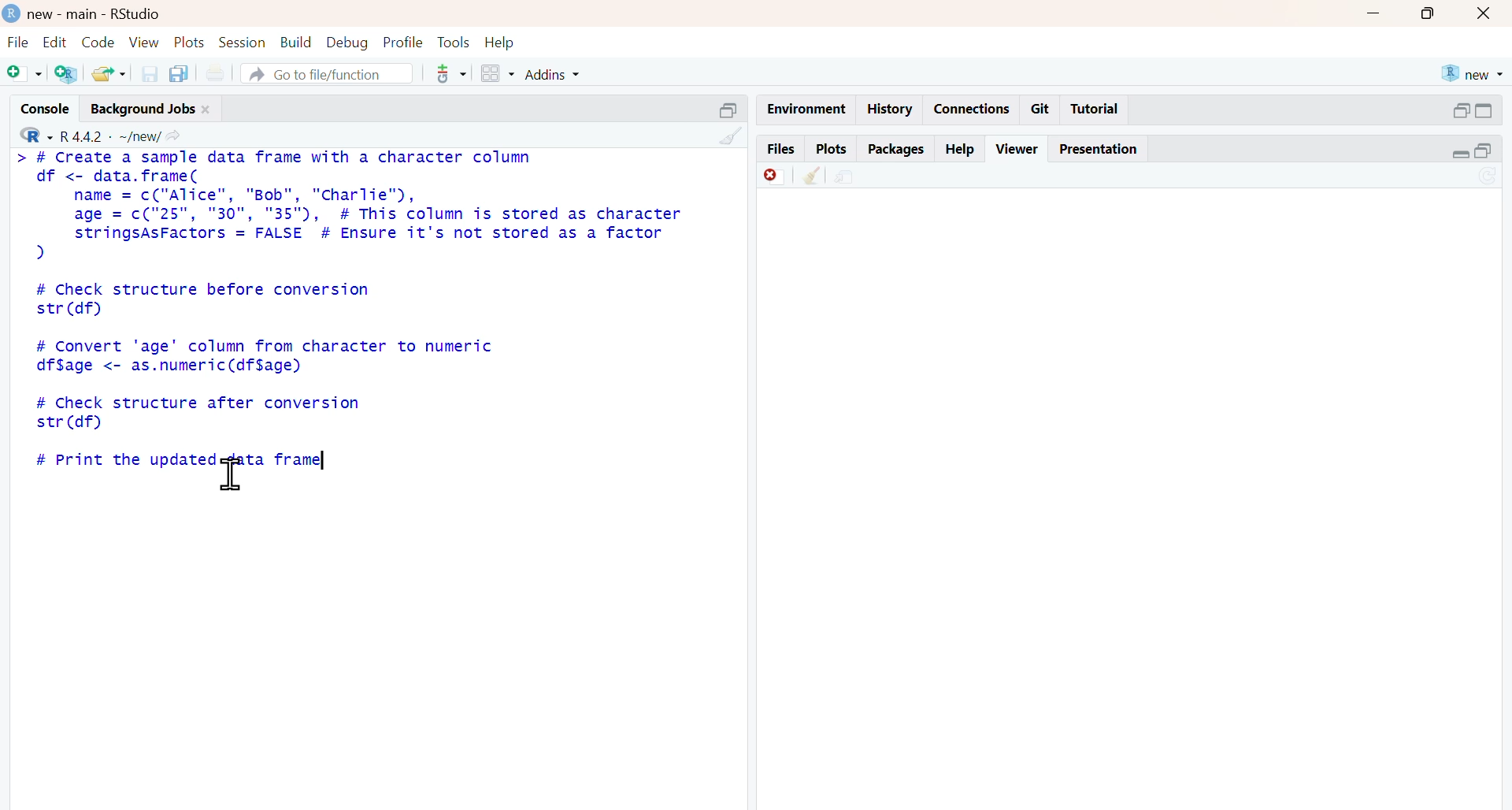  Describe the element at coordinates (833, 150) in the screenshot. I see `plots` at that location.